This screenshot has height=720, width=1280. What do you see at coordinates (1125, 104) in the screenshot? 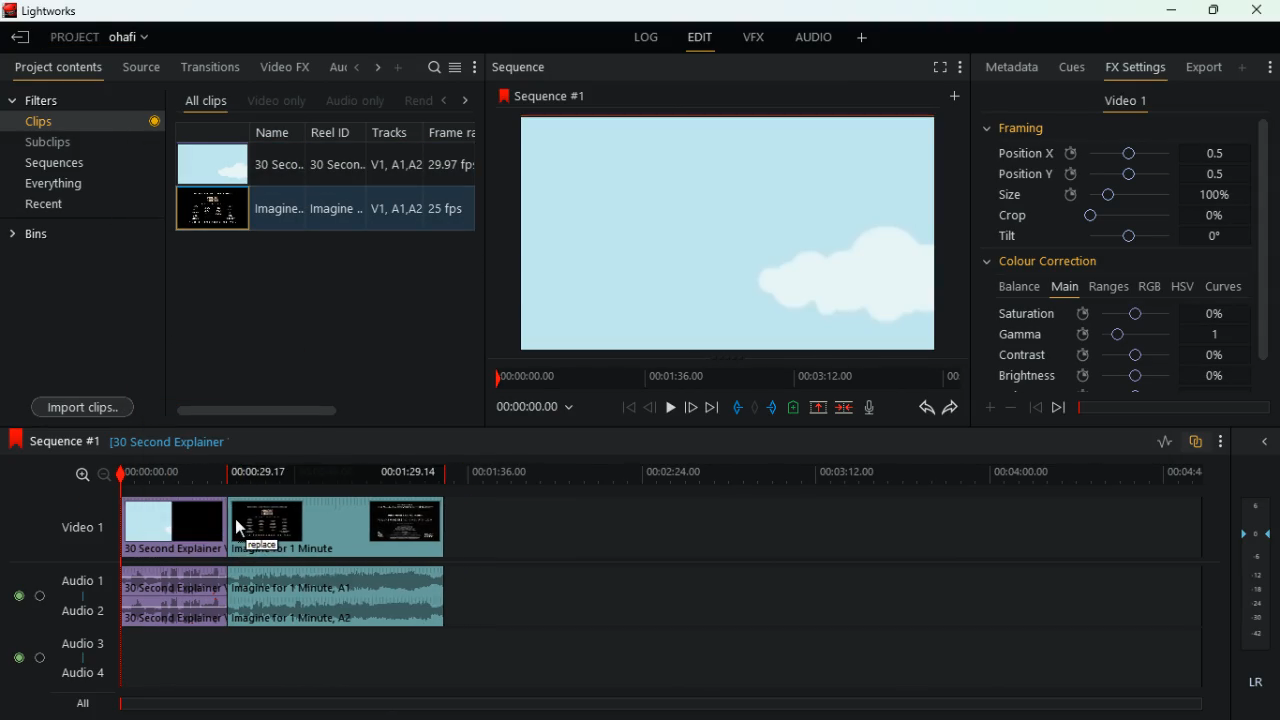
I see `video 1` at bounding box center [1125, 104].